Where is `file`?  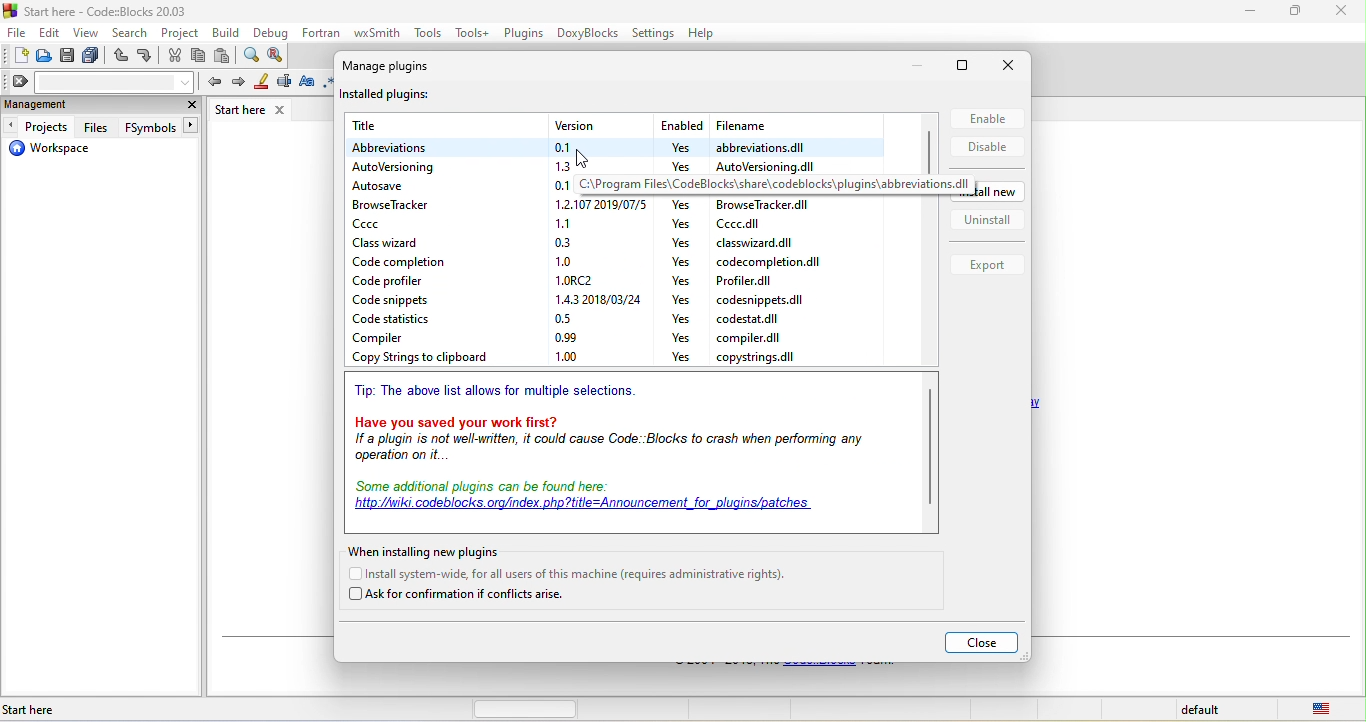
file is located at coordinates (17, 31).